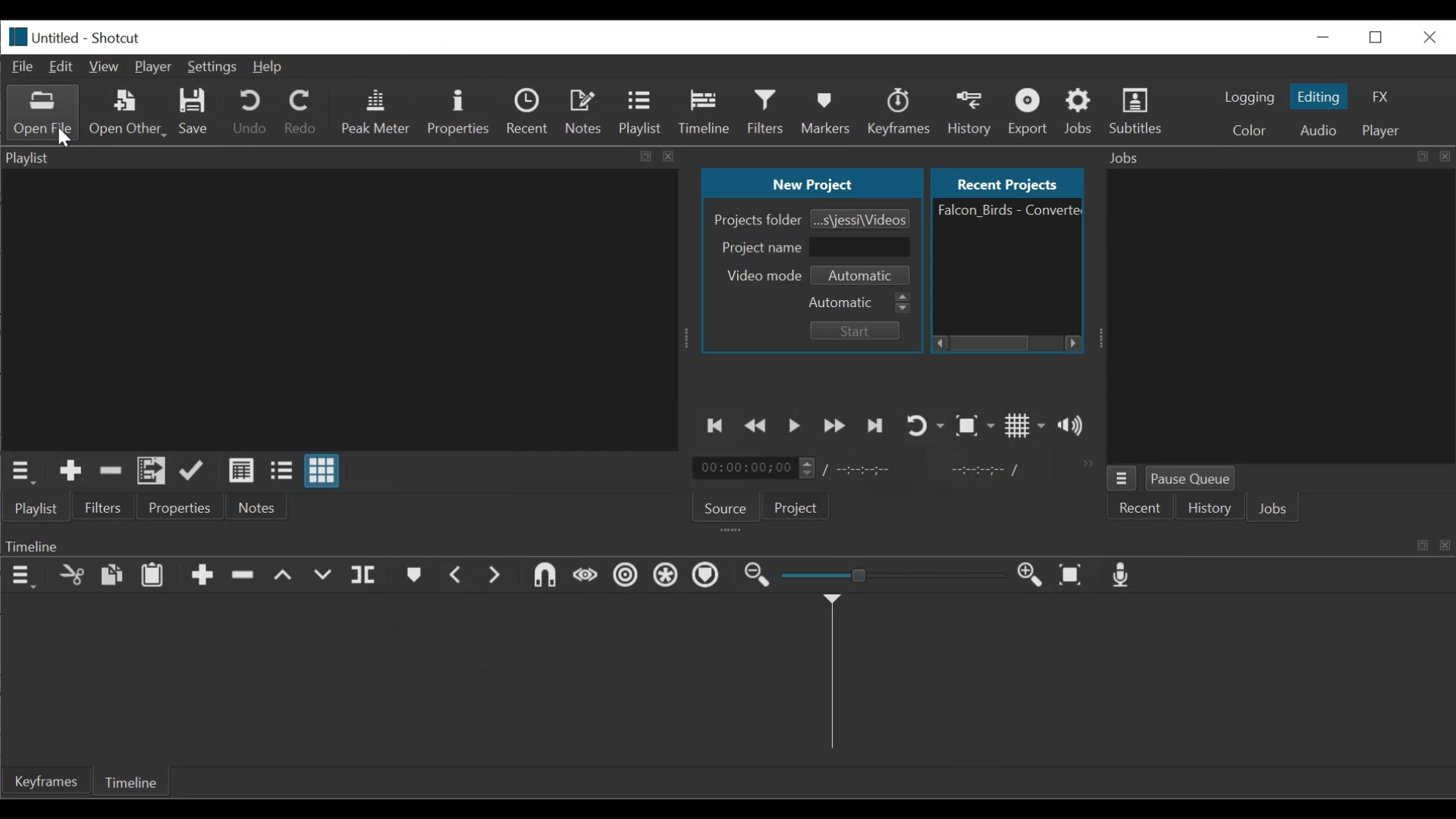 Image resolution: width=1456 pixels, height=819 pixels. What do you see at coordinates (1276, 158) in the screenshot?
I see `Jobs Panel` at bounding box center [1276, 158].